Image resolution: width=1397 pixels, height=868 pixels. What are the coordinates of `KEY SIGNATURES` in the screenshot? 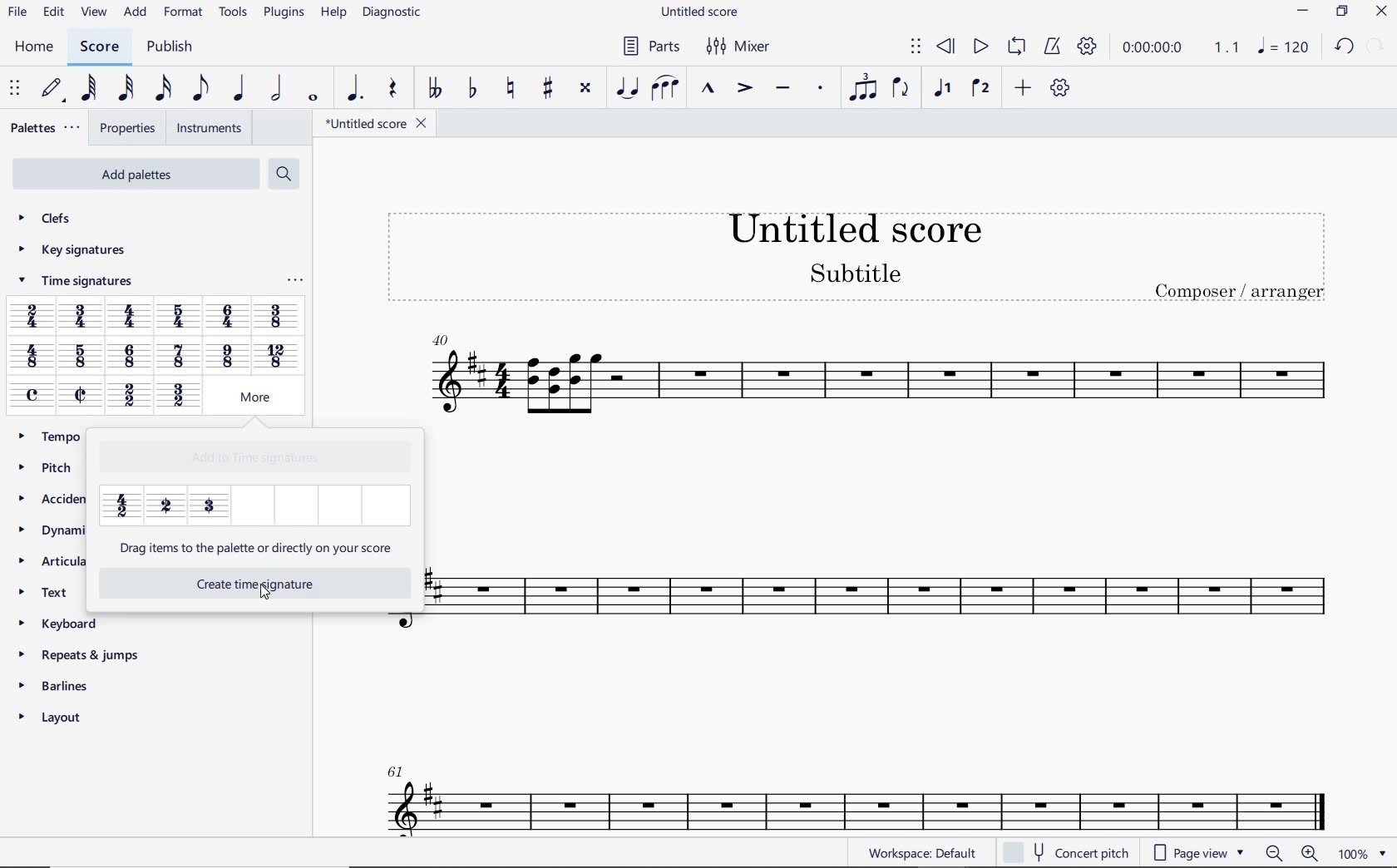 It's located at (72, 250).